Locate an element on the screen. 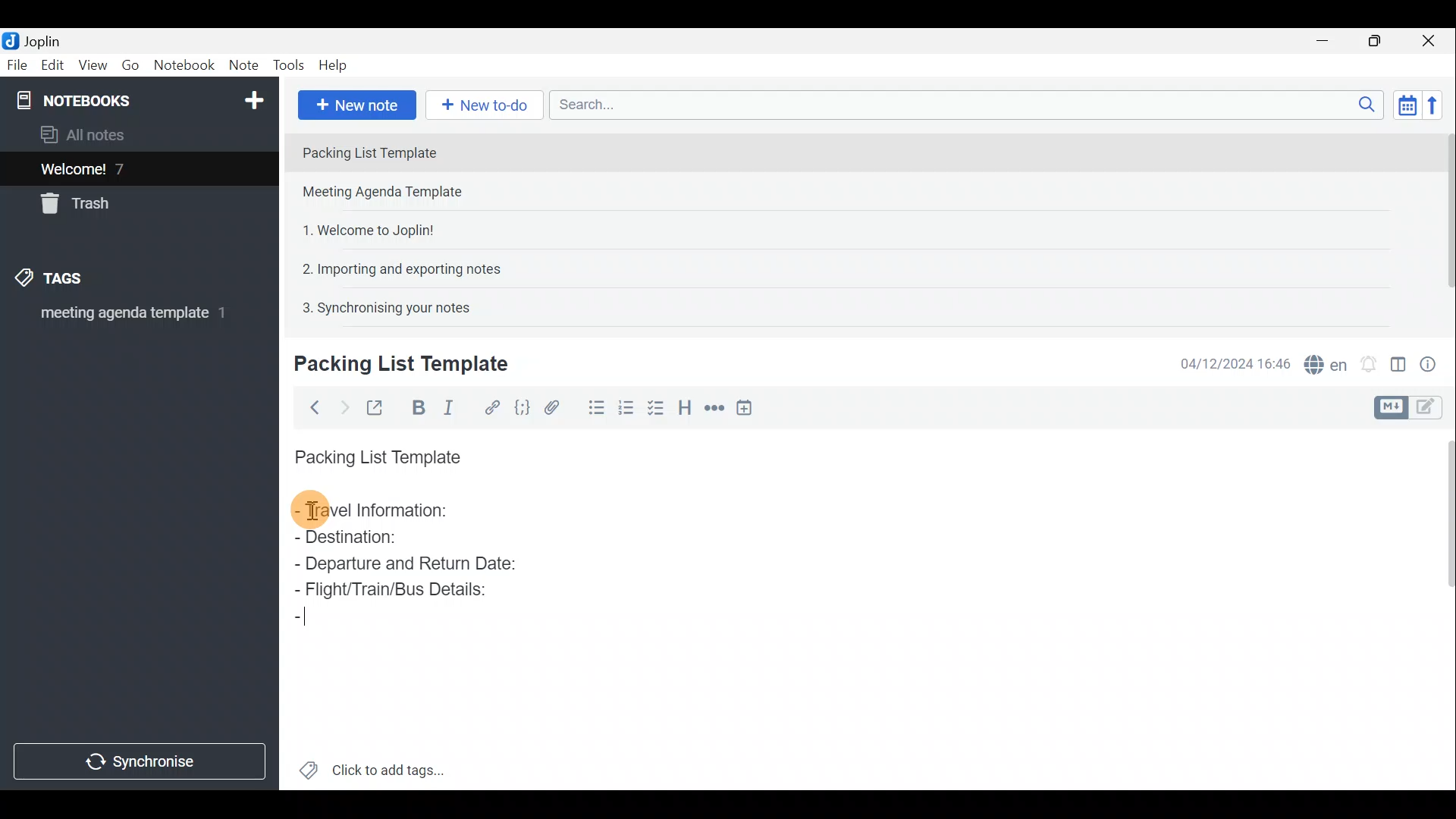 This screenshot has height=819, width=1456. Notebook is located at coordinates (137, 99).